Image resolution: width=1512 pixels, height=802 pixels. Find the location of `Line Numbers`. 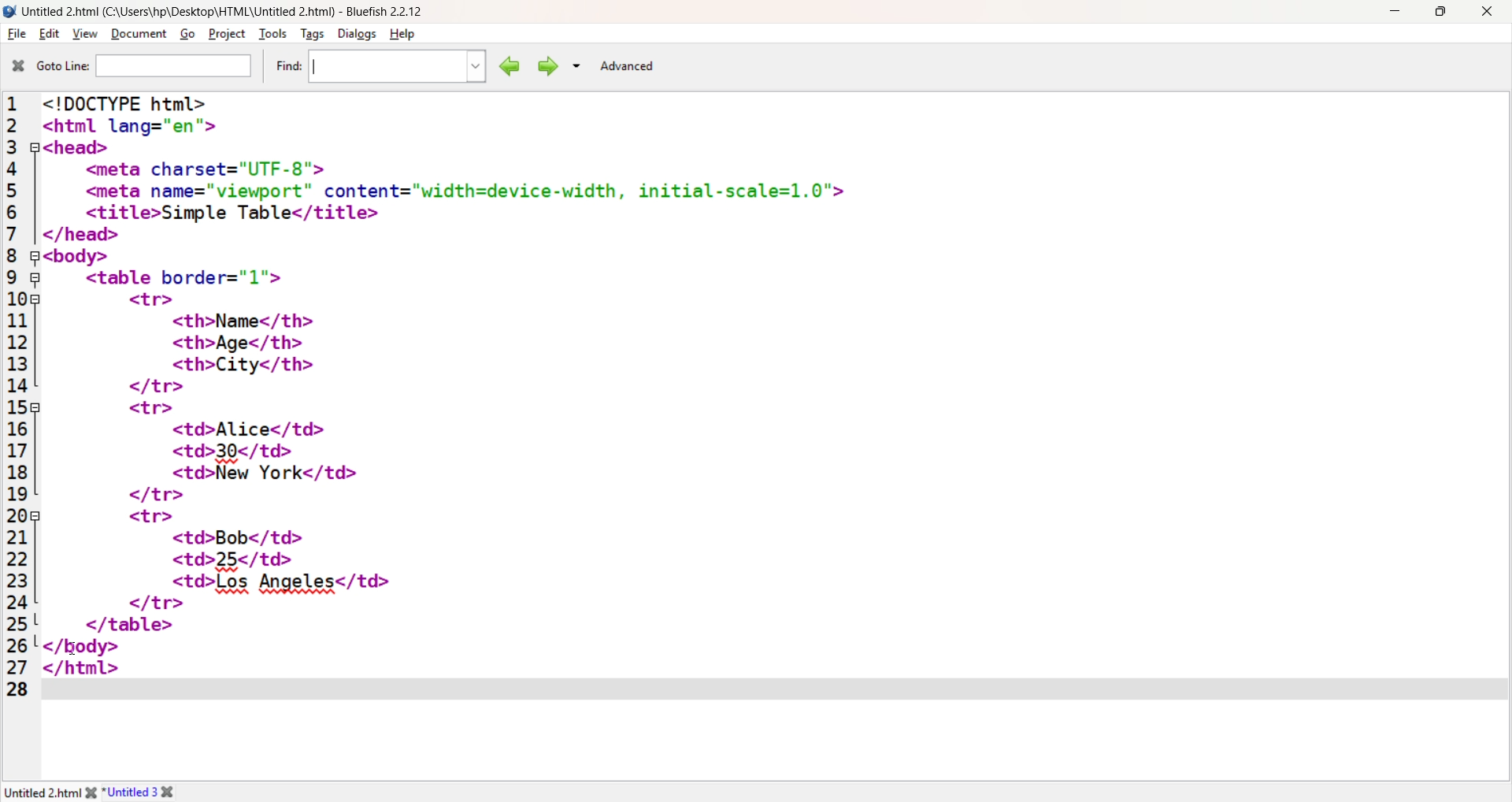

Line Numbers is located at coordinates (18, 398).